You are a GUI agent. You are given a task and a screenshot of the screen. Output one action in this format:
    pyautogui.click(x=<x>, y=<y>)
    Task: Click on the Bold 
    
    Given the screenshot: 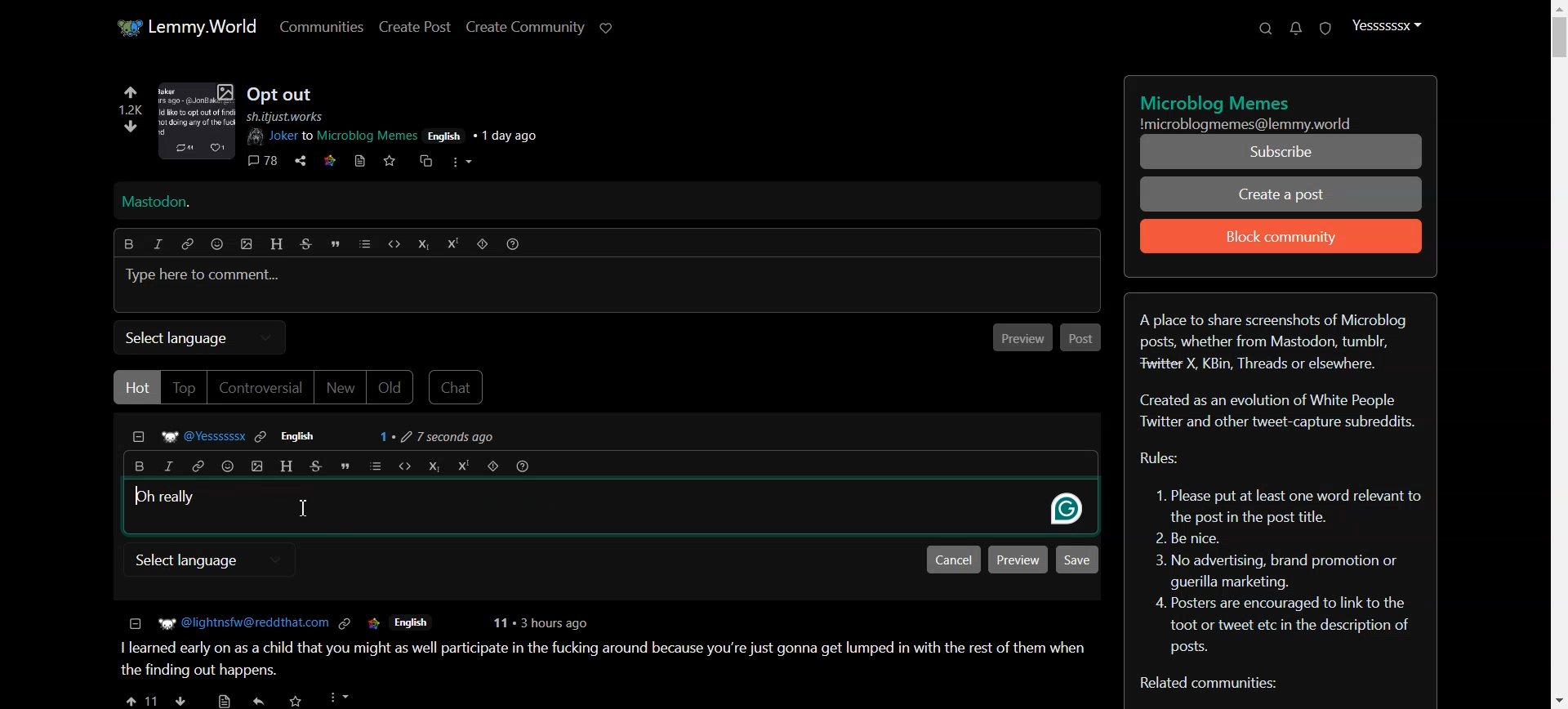 What is the action you would take?
    pyautogui.click(x=130, y=243)
    